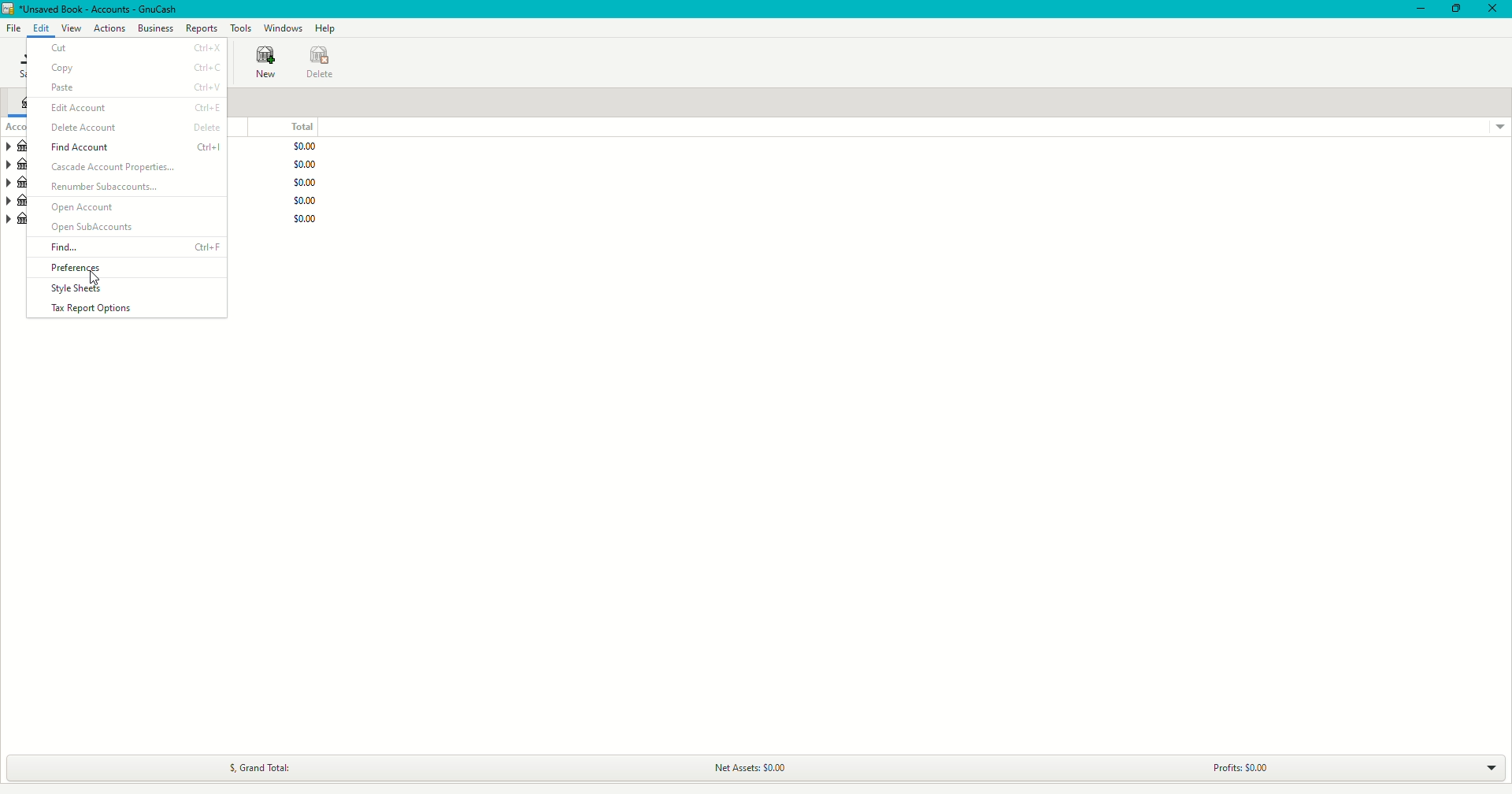 This screenshot has width=1512, height=794. I want to click on Grand Total, so click(265, 765).